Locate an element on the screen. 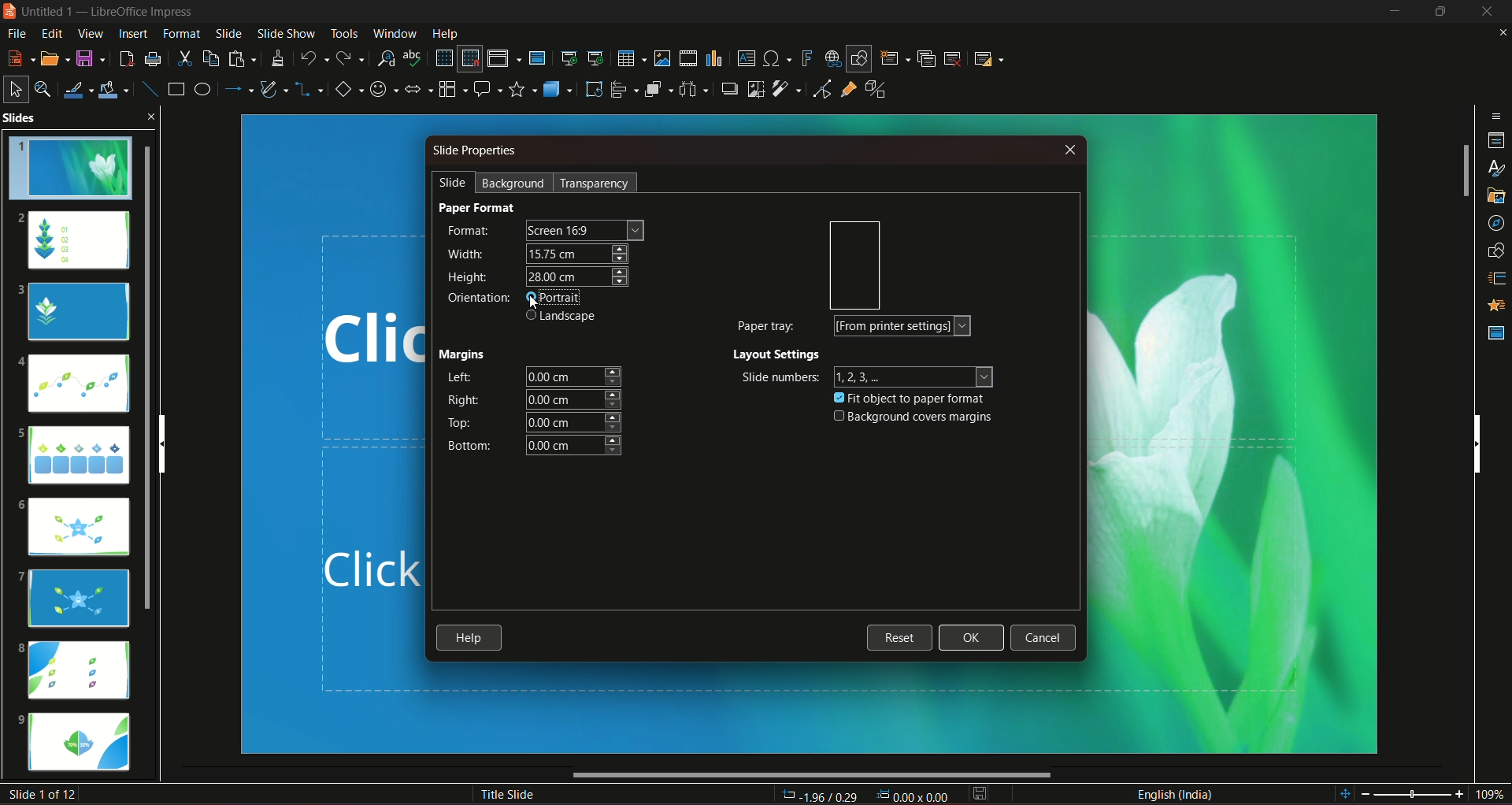 The image size is (1512, 805). background covers margins is located at coordinates (910, 417).